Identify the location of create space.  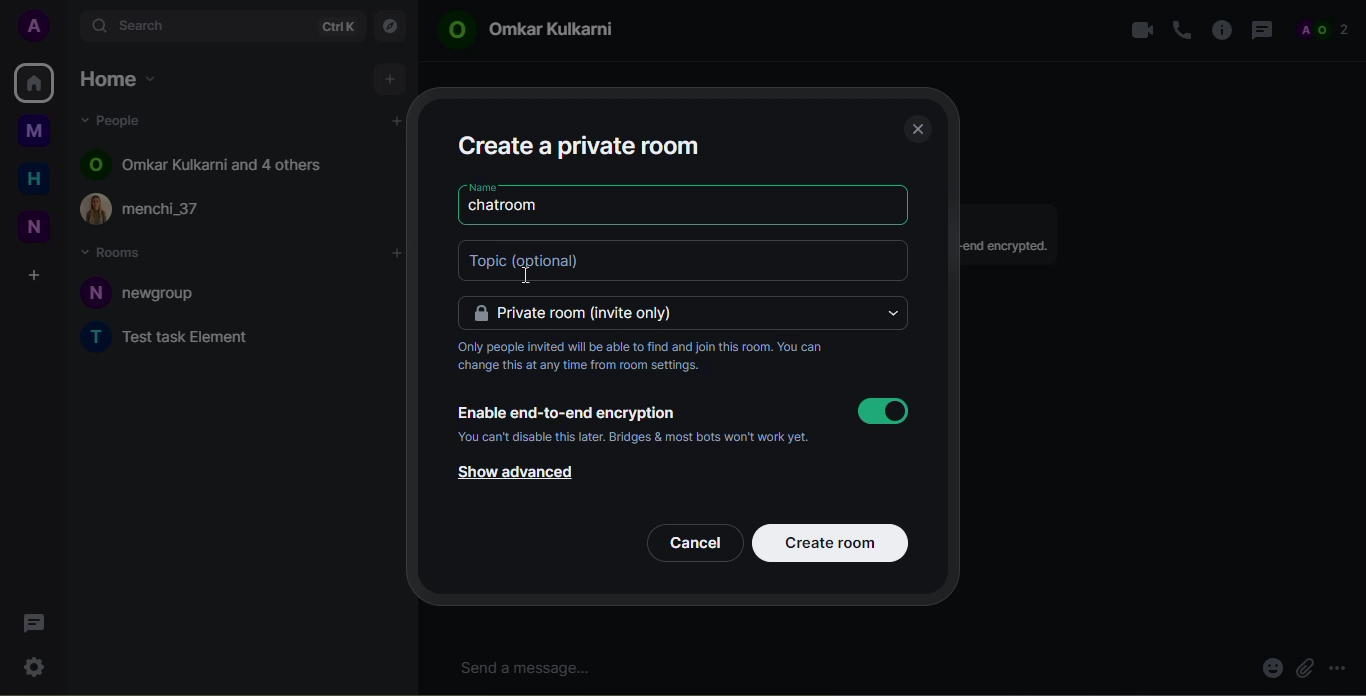
(33, 276).